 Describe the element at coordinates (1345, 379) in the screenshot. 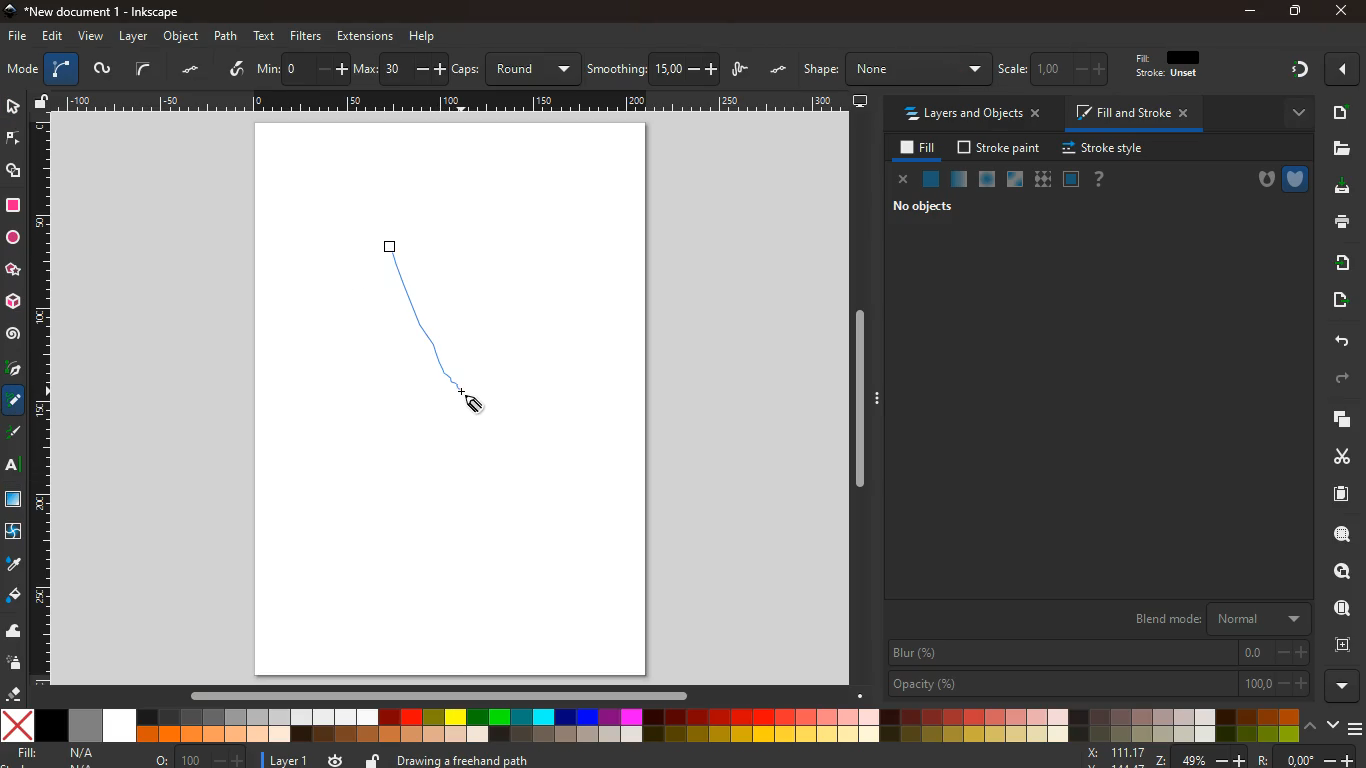

I see `forward` at that location.